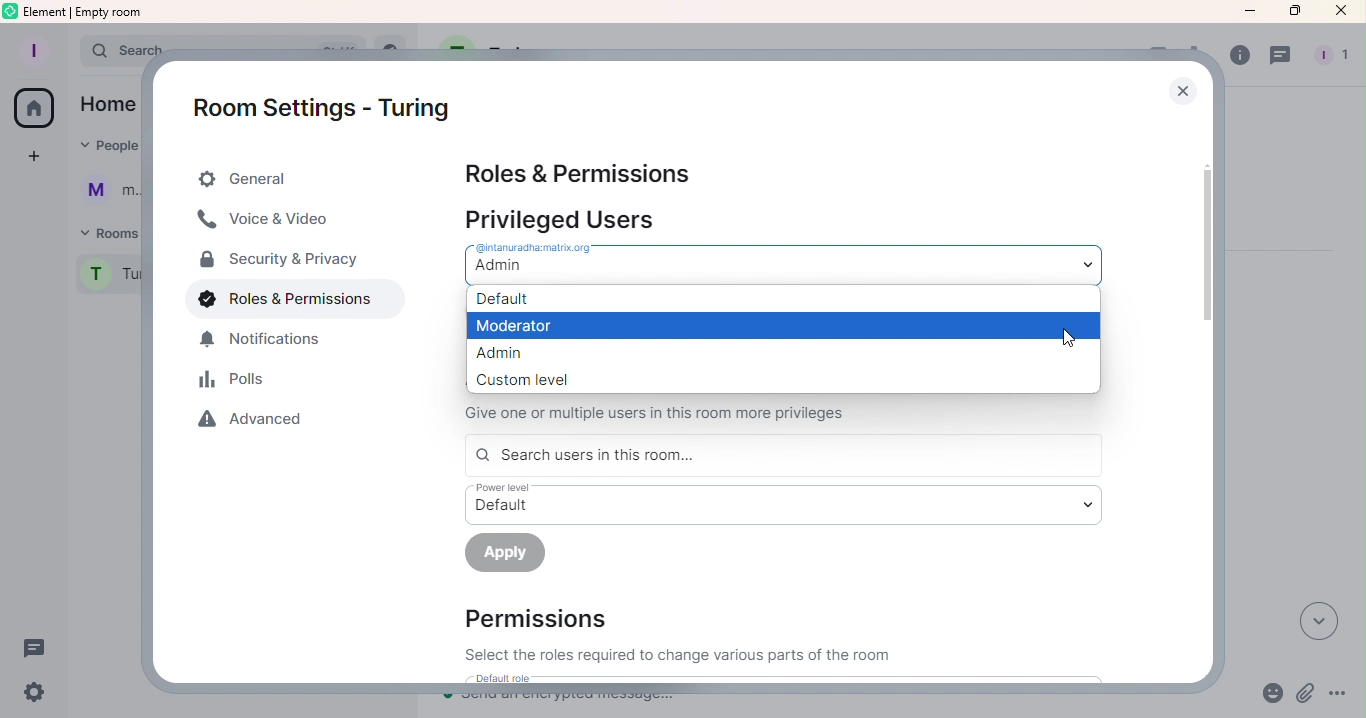 This screenshot has width=1366, height=718. What do you see at coordinates (787, 260) in the screenshot?
I see `Admin` at bounding box center [787, 260].